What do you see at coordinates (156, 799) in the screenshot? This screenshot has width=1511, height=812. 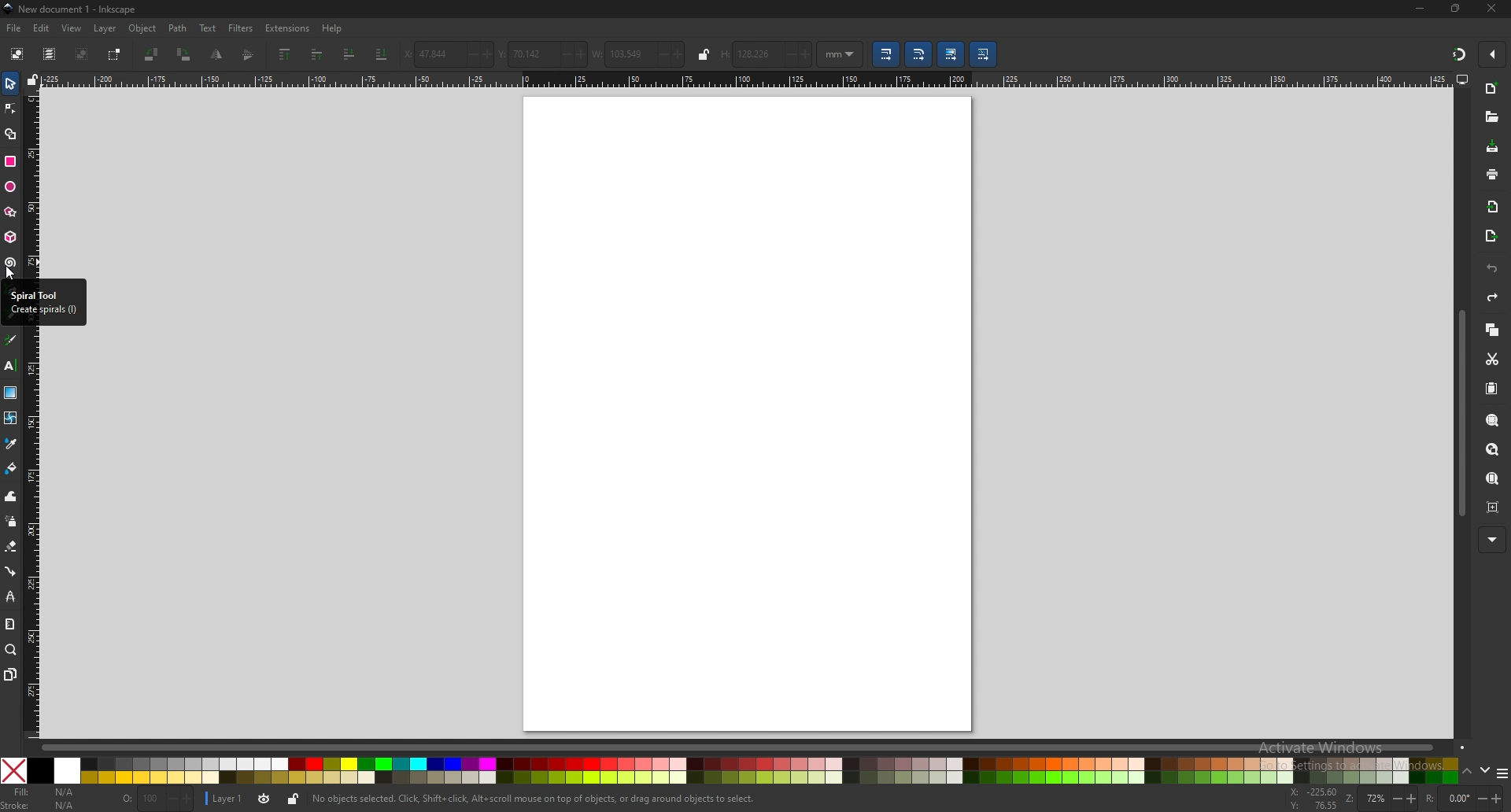 I see `O: 100` at bounding box center [156, 799].